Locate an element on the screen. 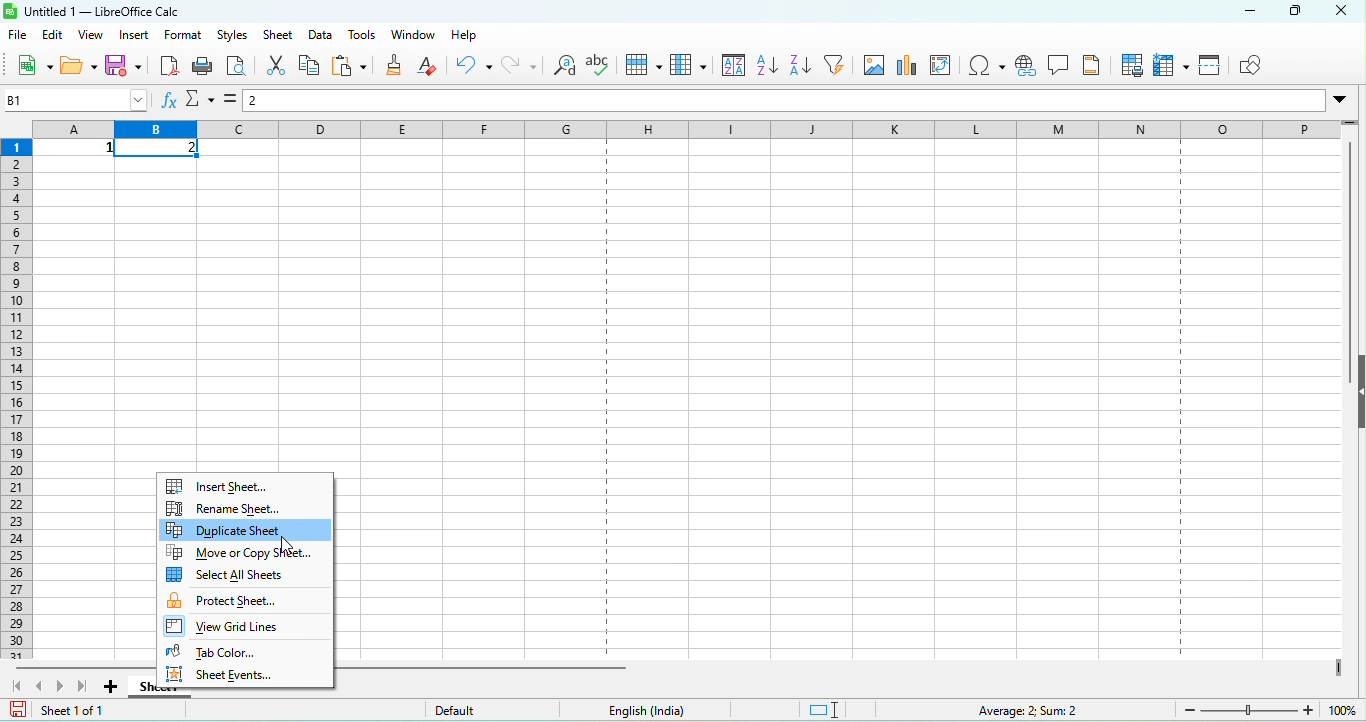 The height and width of the screenshot is (722, 1366). text language is located at coordinates (679, 711).